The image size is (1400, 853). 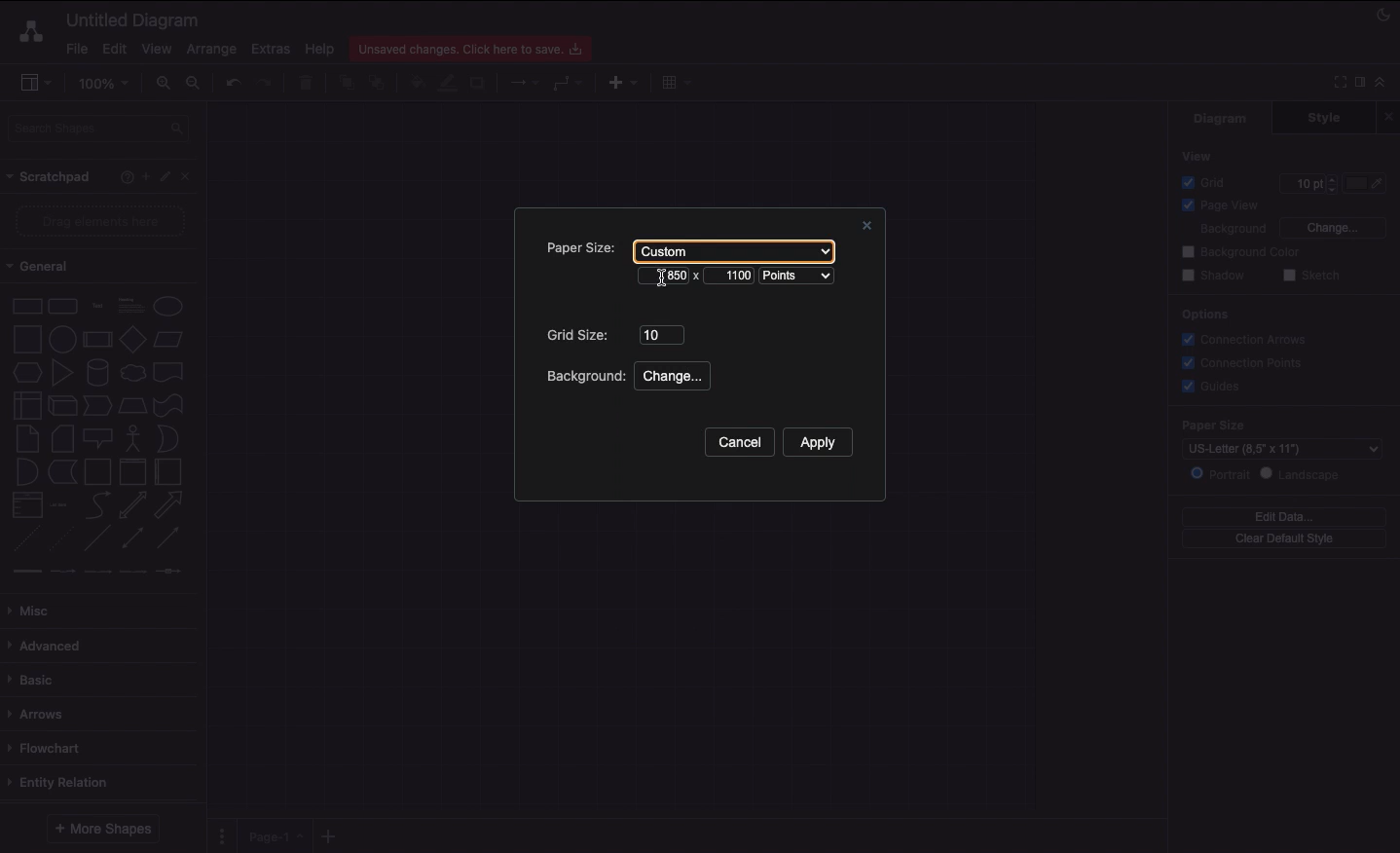 I want to click on Cube, so click(x=62, y=406).